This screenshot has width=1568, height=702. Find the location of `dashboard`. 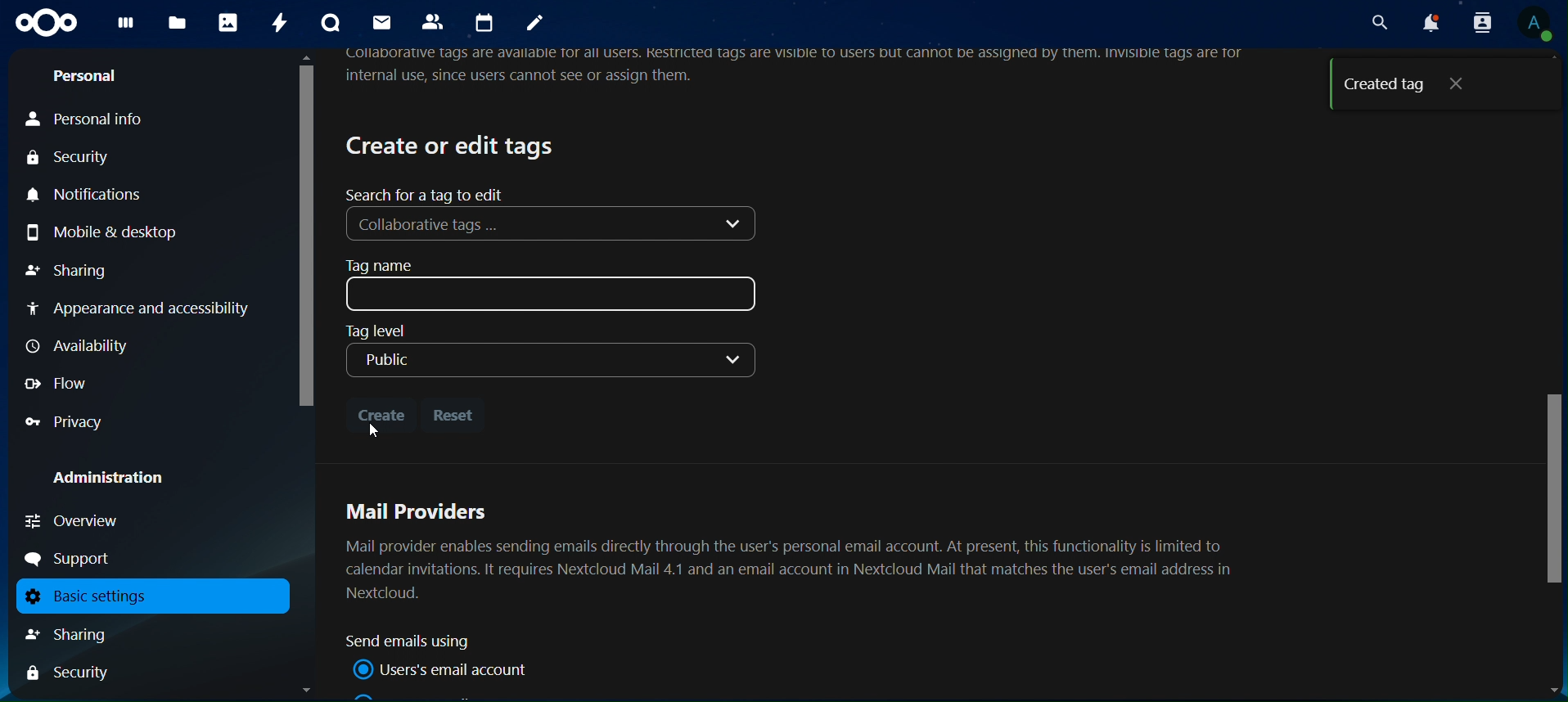

dashboard is located at coordinates (126, 27).